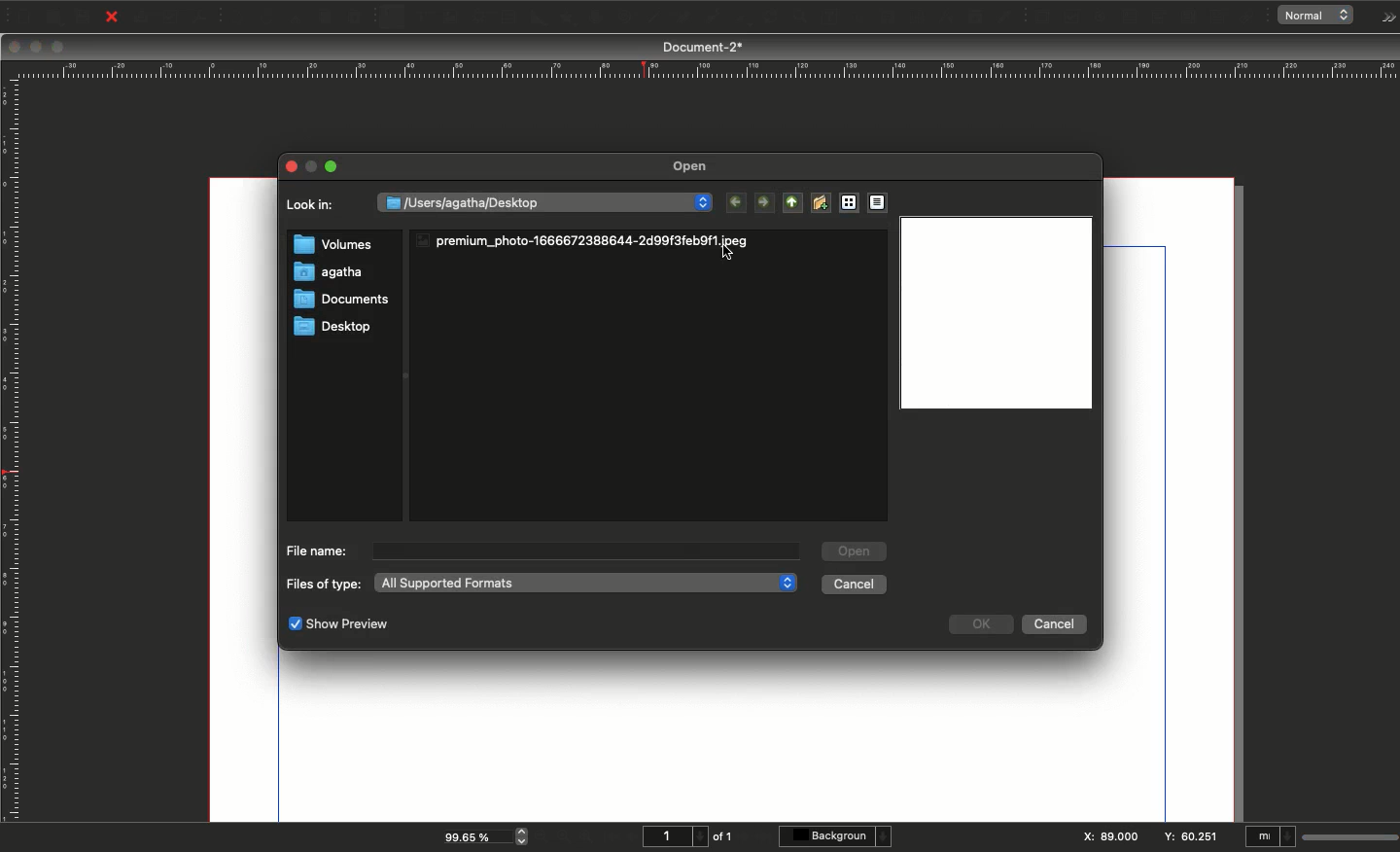  What do you see at coordinates (1220, 18) in the screenshot?
I see `Text annotation` at bounding box center [1220, 18].